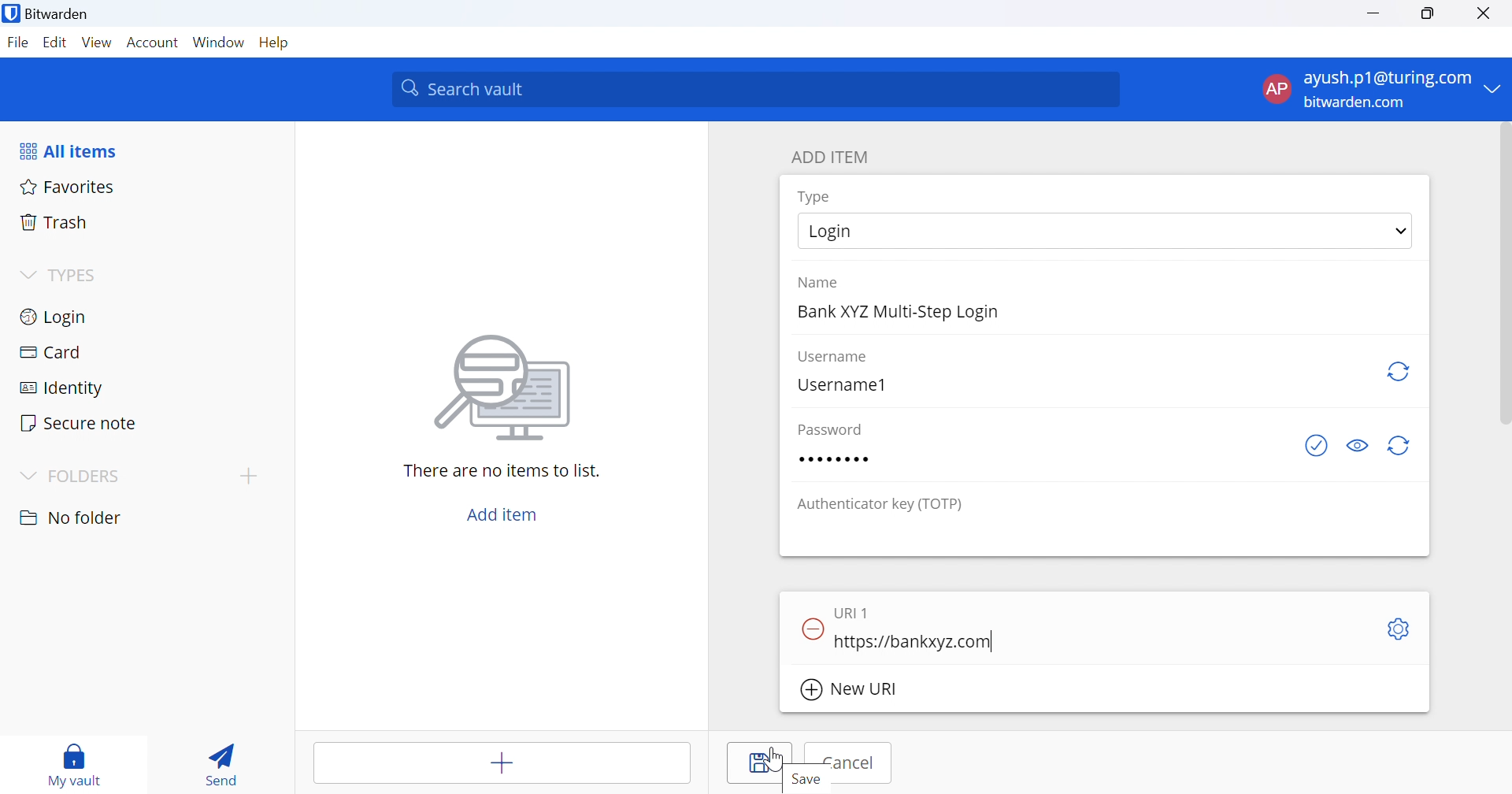  What do you see at coordinates (81, 425) in the screenshot?
I see `Secure note` at bounding box center [81, 425].